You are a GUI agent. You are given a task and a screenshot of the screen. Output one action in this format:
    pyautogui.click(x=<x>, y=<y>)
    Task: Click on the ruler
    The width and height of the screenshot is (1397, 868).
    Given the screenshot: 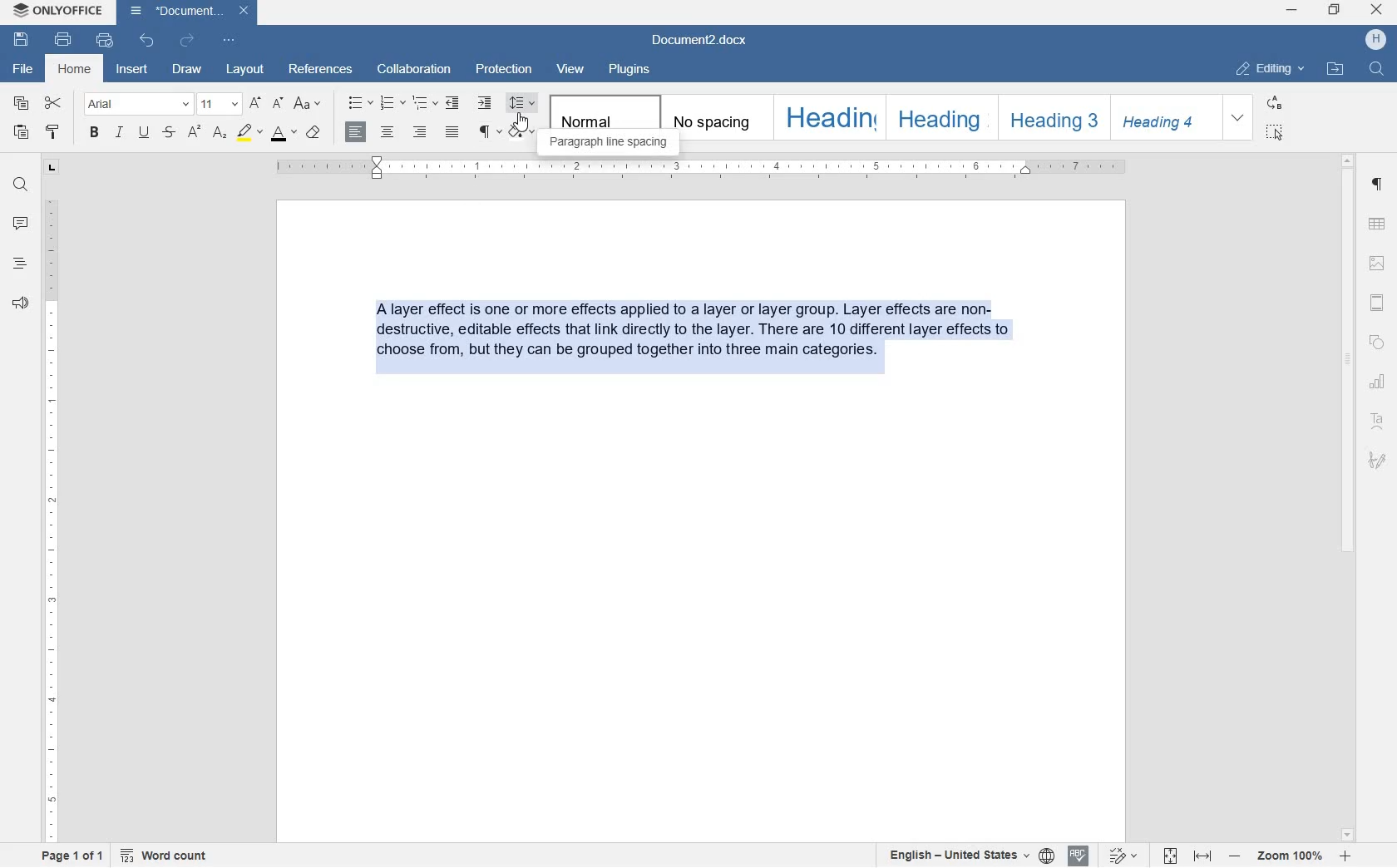 What is the action you would take?
    pyautogui.click(x=704, y=168)
    